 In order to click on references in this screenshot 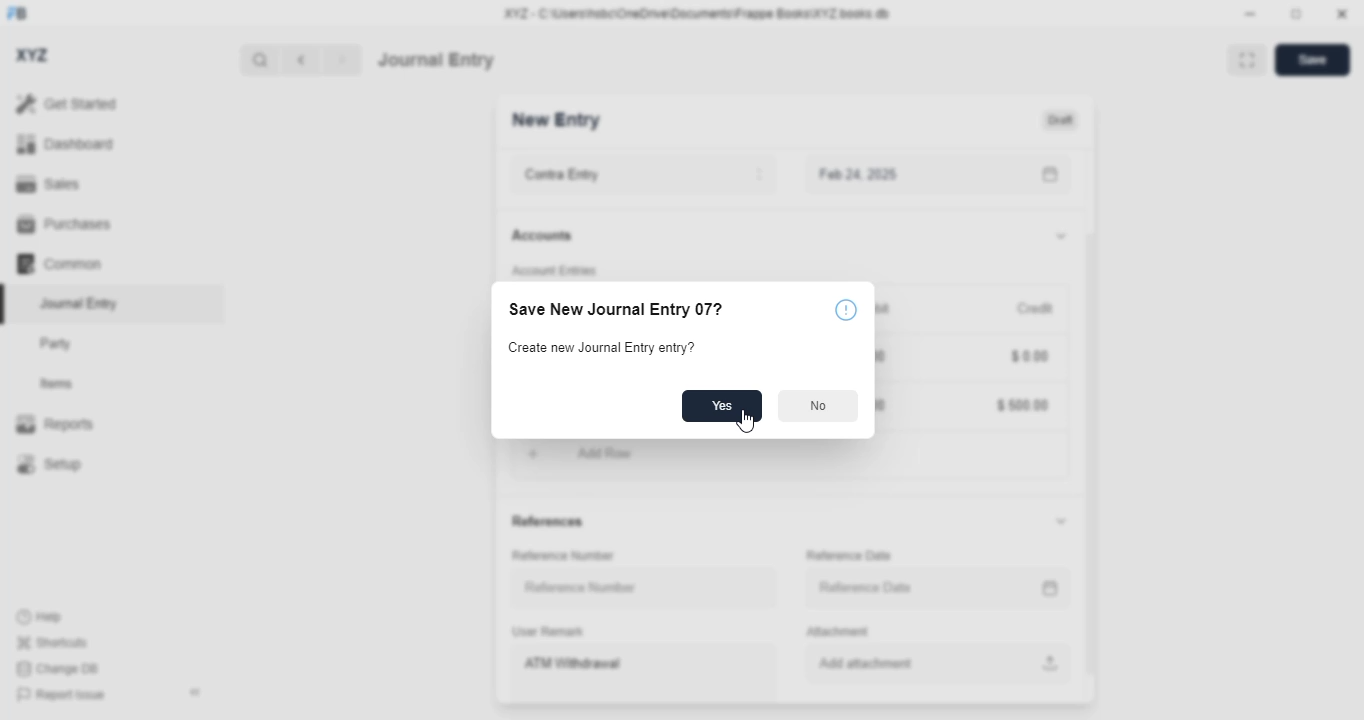, I will do `click(549, 523)`.